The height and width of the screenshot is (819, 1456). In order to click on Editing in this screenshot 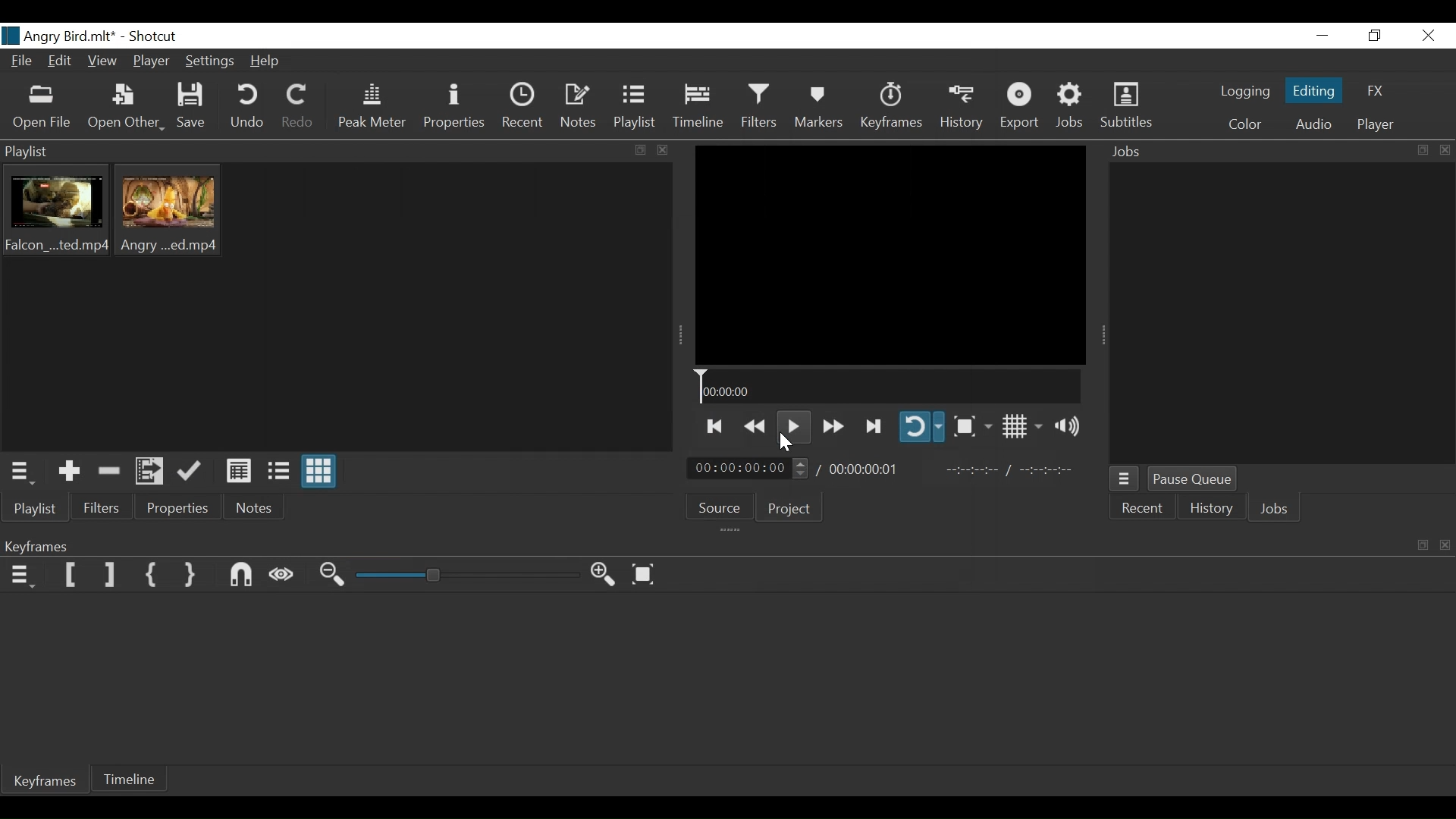, I will do `click(1316, 91)`.